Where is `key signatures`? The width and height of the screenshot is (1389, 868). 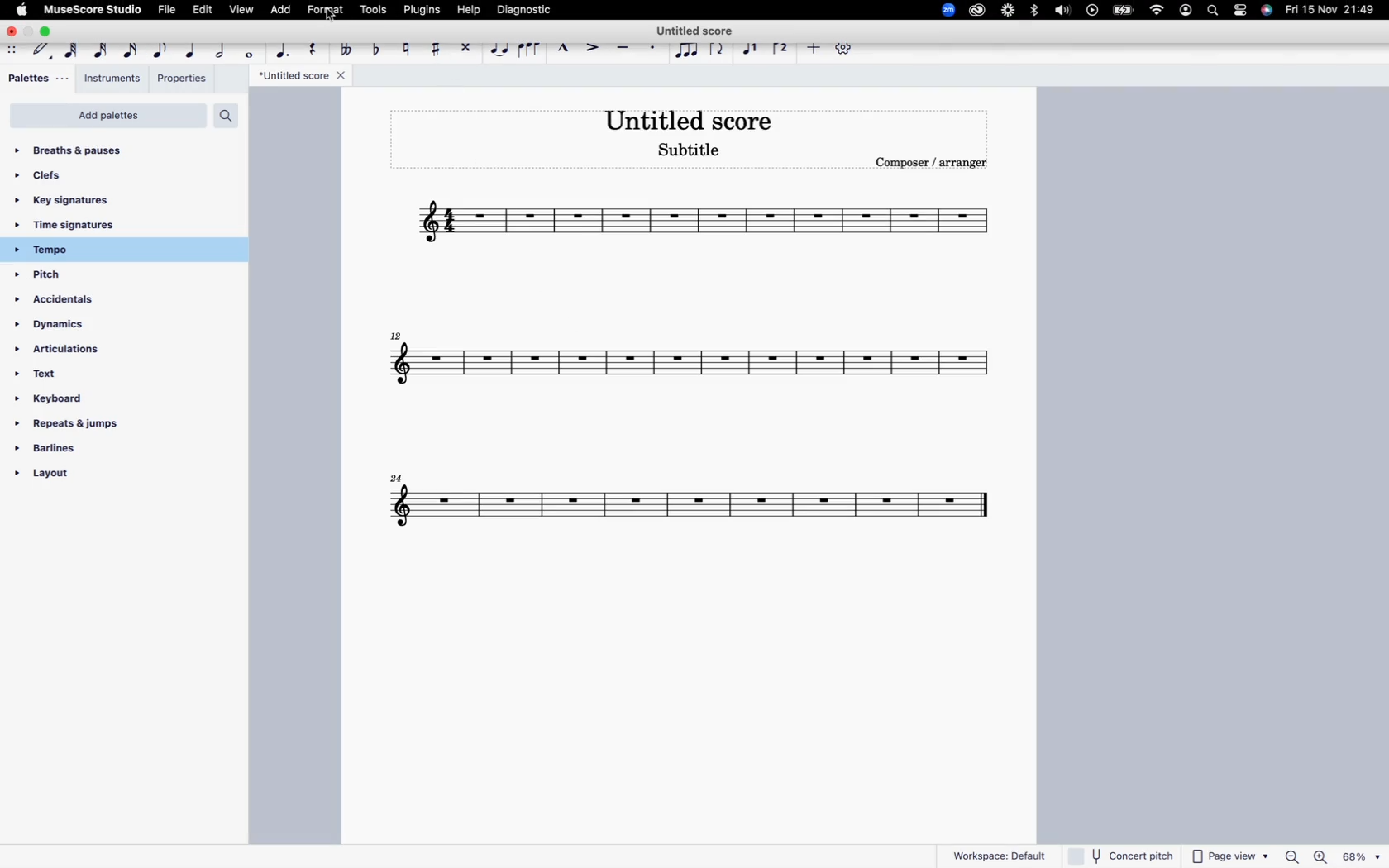
key signatures is located at coordinates (77, 200).